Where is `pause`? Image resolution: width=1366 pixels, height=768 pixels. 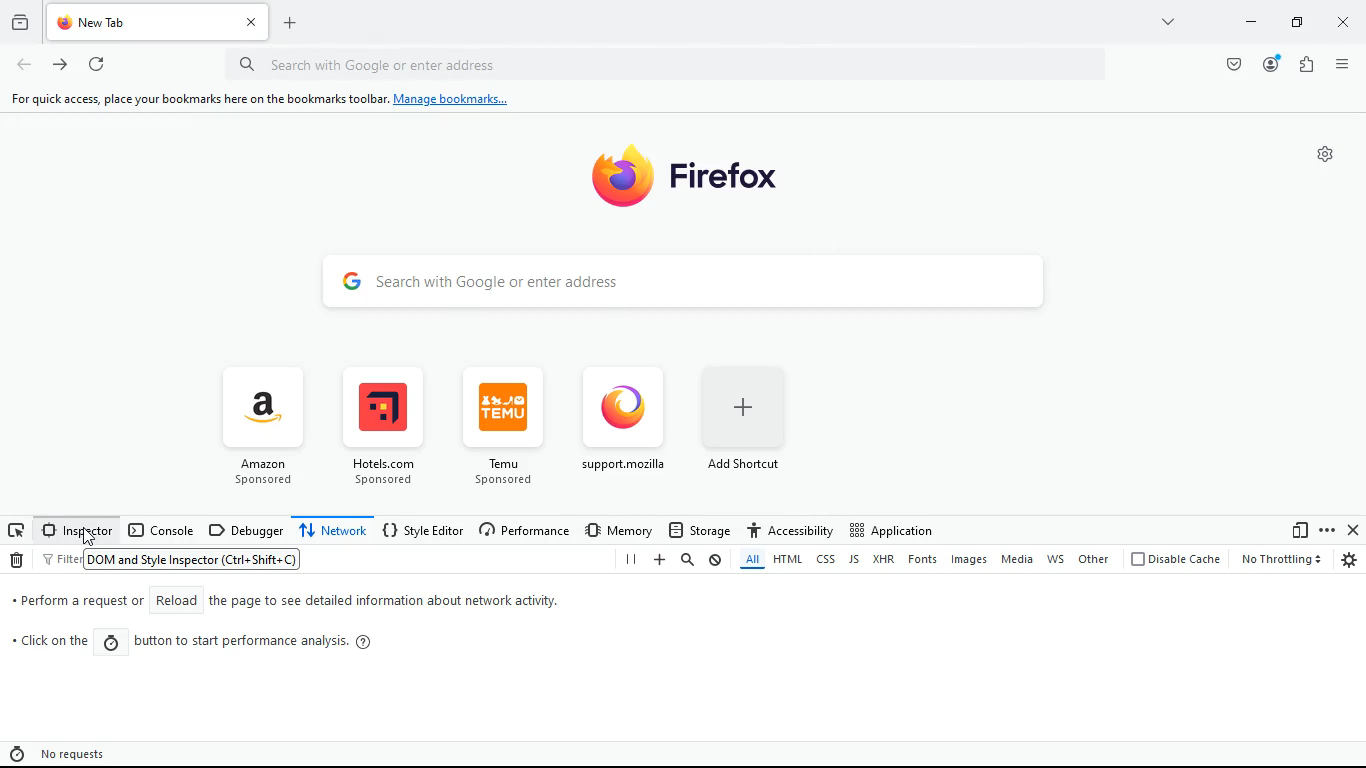 pause is located at coordinates (628, 560).